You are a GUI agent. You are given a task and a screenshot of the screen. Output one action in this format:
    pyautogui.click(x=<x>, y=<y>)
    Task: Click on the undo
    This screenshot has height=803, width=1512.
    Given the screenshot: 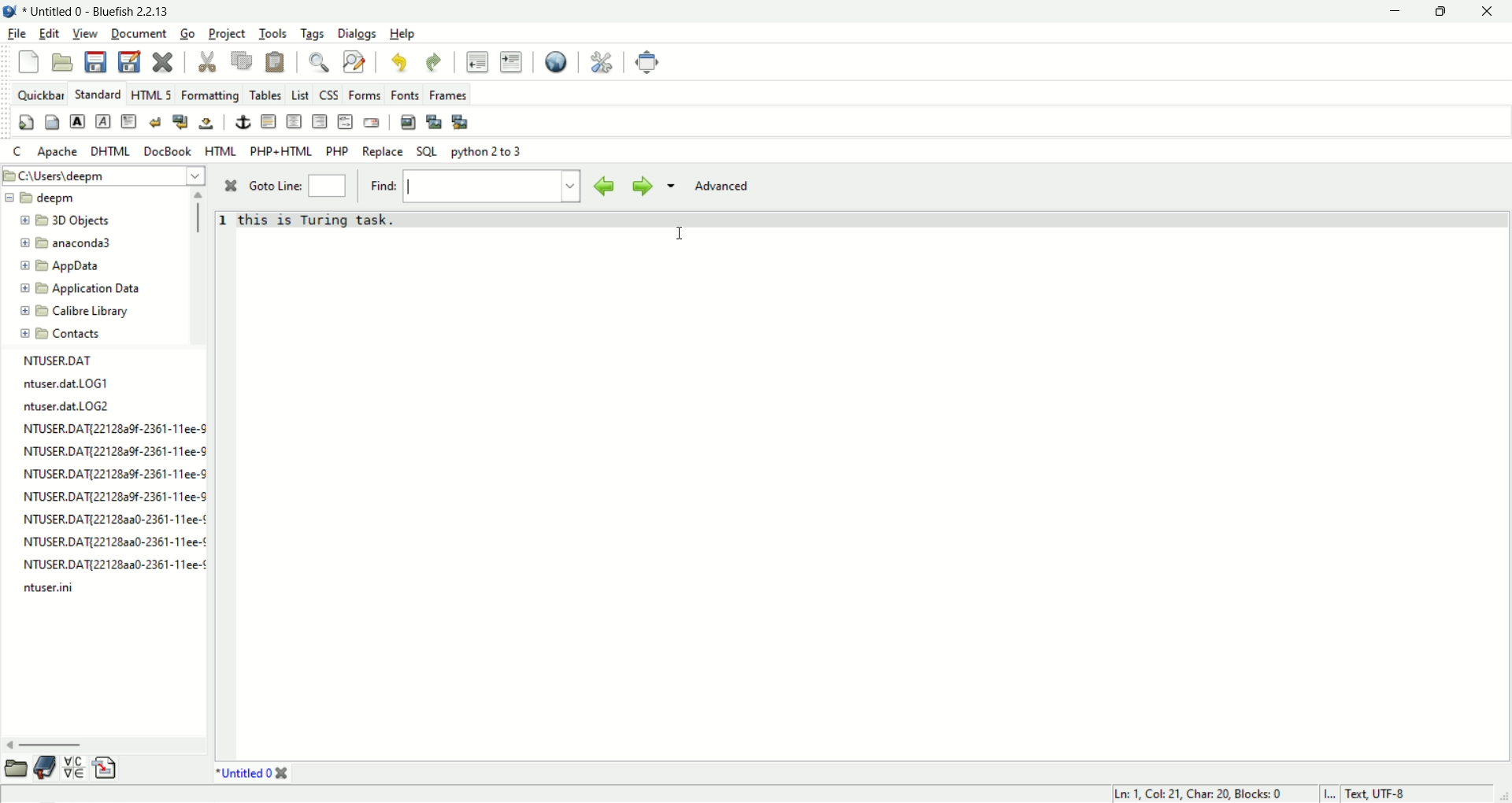 What is the action you would take?
    pyautogui.click(x=398, y=64)
    